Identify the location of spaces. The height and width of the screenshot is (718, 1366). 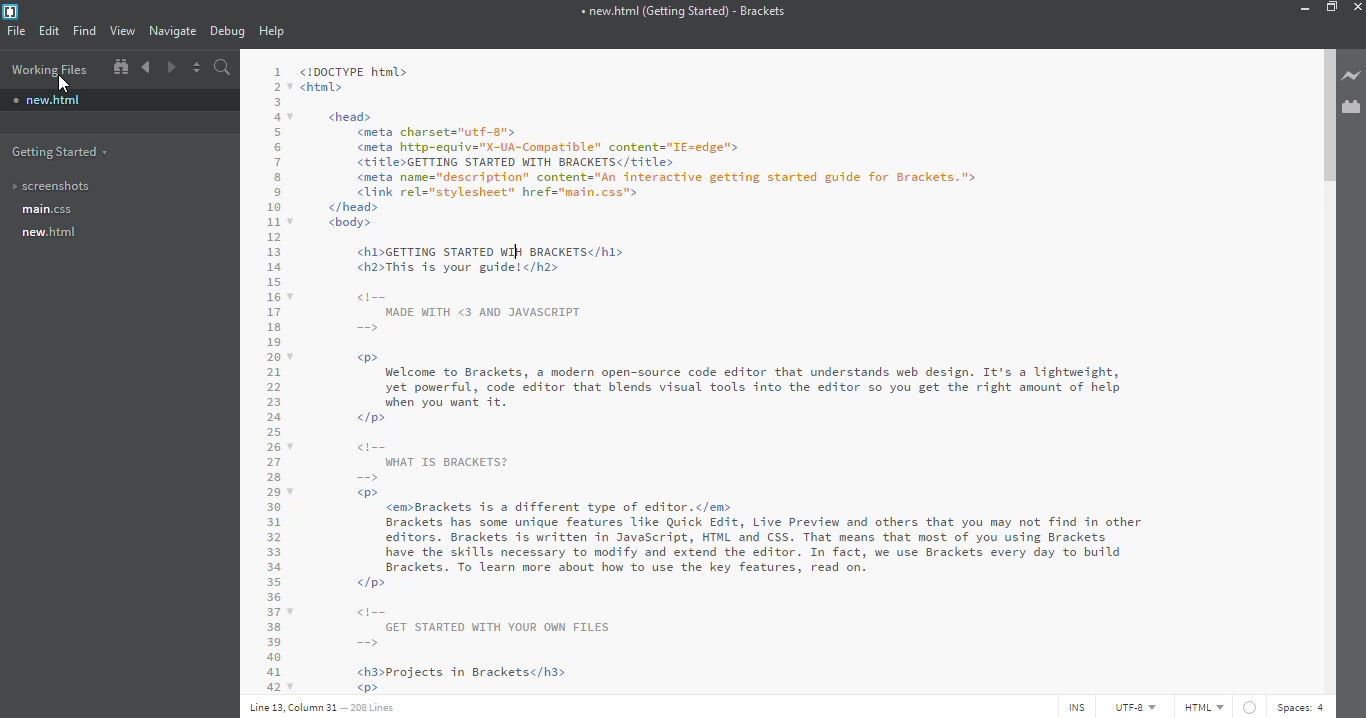
(1303, 707).